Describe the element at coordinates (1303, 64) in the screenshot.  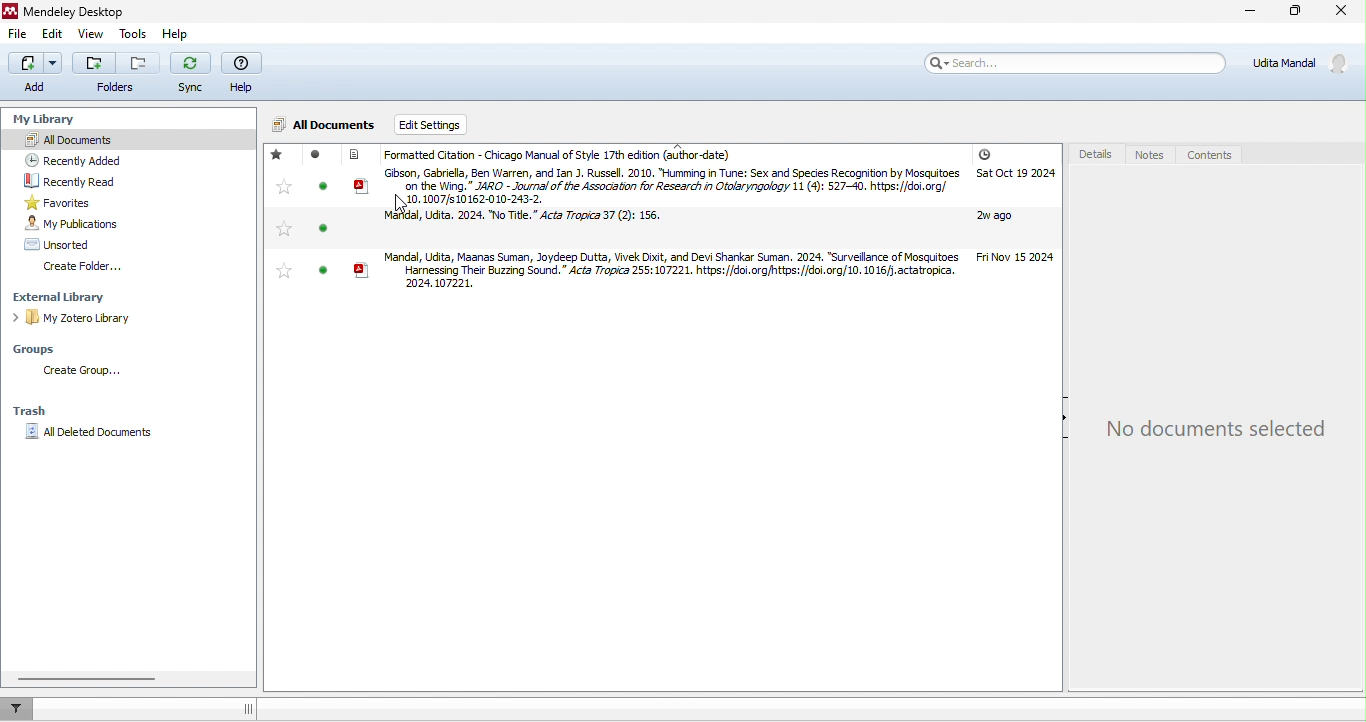
I see `Udita Mandal` at that location.